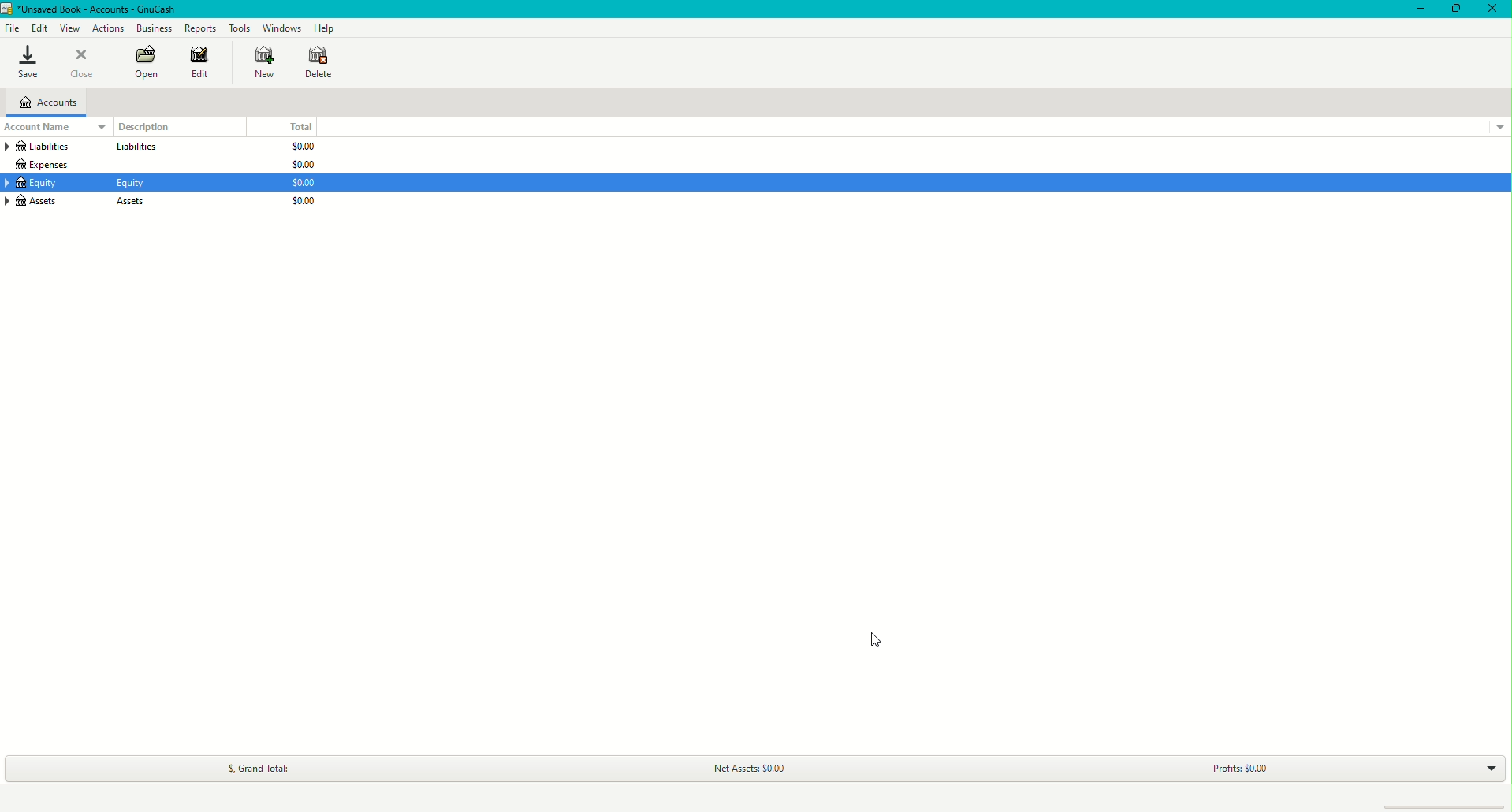 The image size is (1512, 812). I want to click on Tools, so click(238, 25).